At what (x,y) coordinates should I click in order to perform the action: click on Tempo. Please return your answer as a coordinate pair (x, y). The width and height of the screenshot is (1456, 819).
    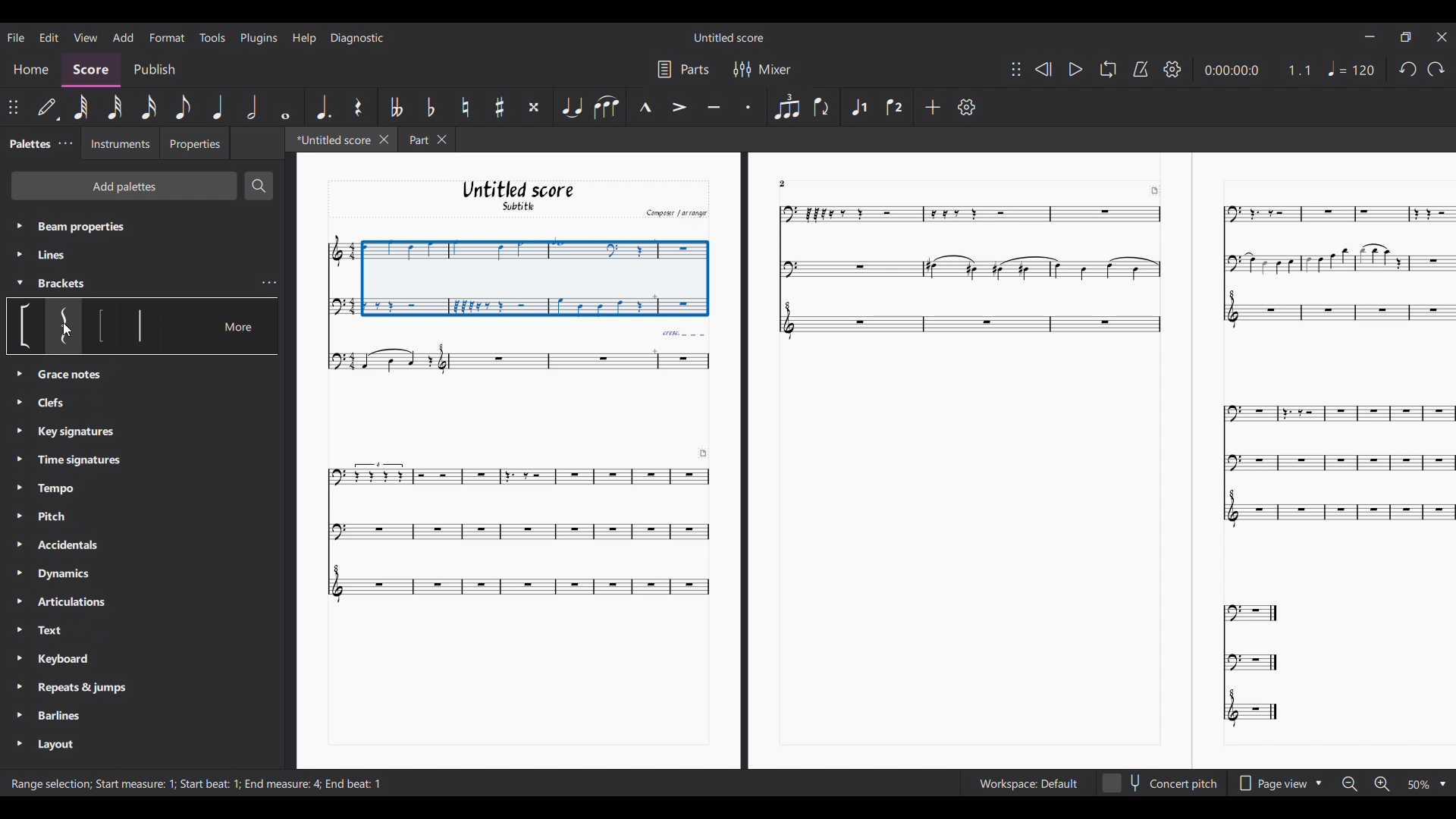
    Looking at the image, I should click on (61, 488).